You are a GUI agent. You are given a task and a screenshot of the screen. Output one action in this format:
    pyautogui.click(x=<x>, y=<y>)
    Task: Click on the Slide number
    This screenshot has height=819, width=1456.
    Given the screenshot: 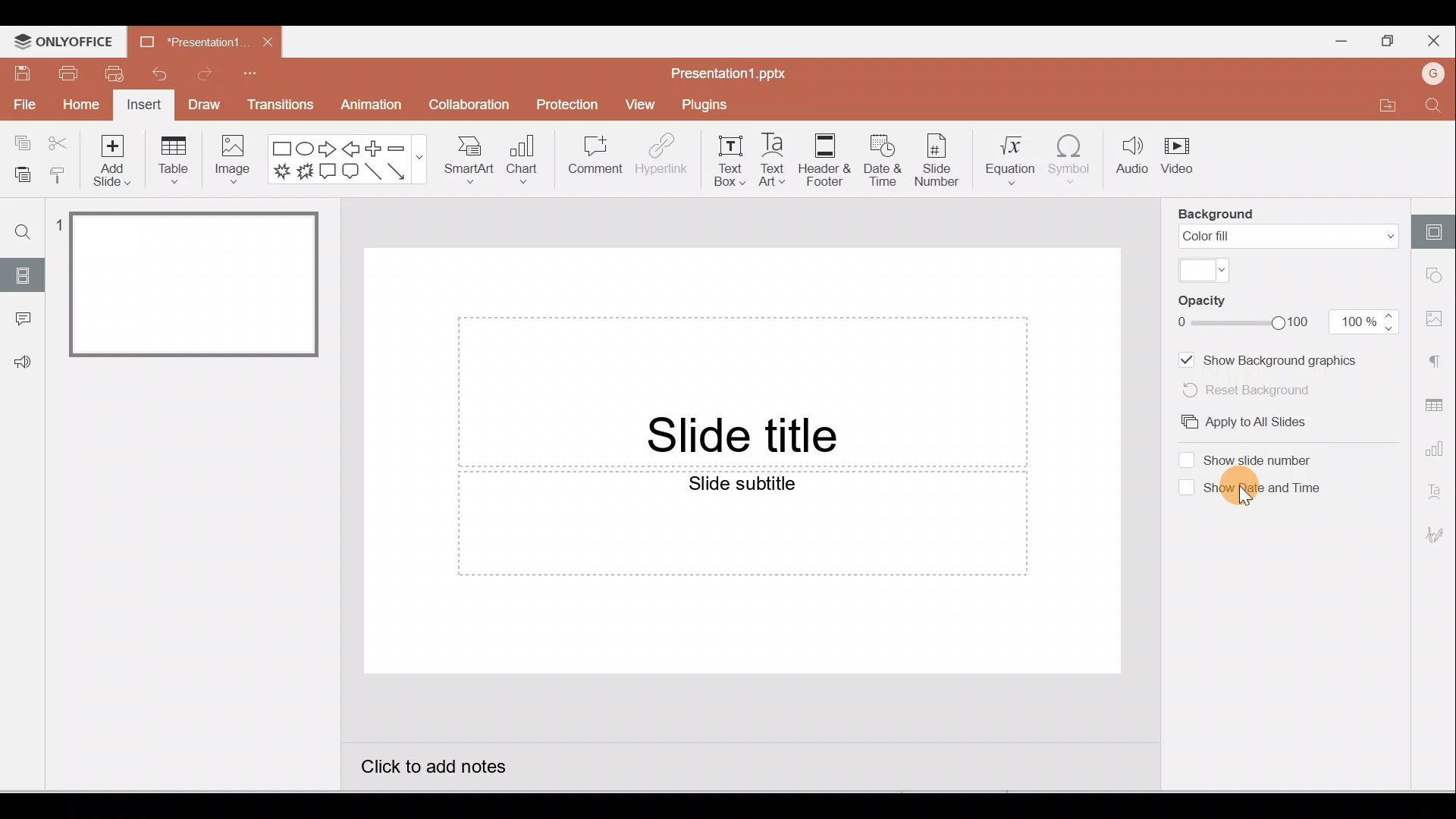 What is the action you would take?
    pyautogui.click(x=937, y=162)
    